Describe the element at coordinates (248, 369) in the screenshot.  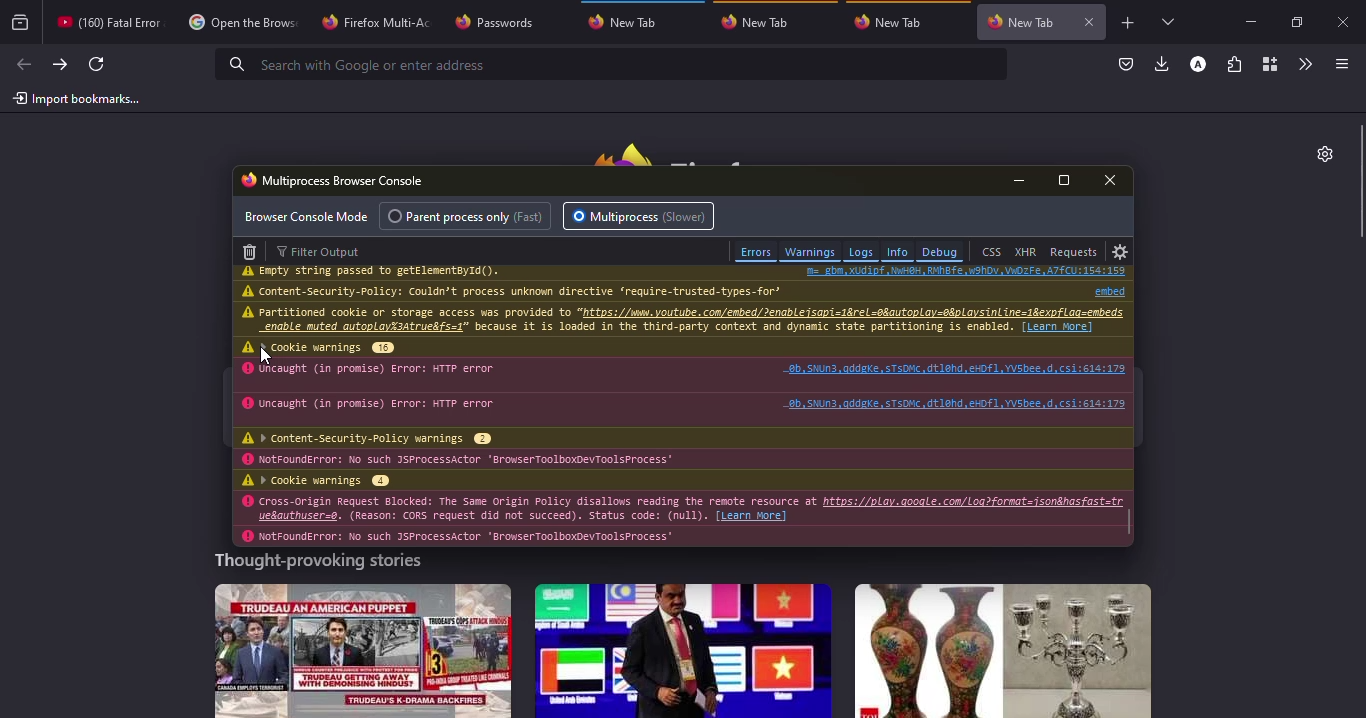
I see `warning` at that location.